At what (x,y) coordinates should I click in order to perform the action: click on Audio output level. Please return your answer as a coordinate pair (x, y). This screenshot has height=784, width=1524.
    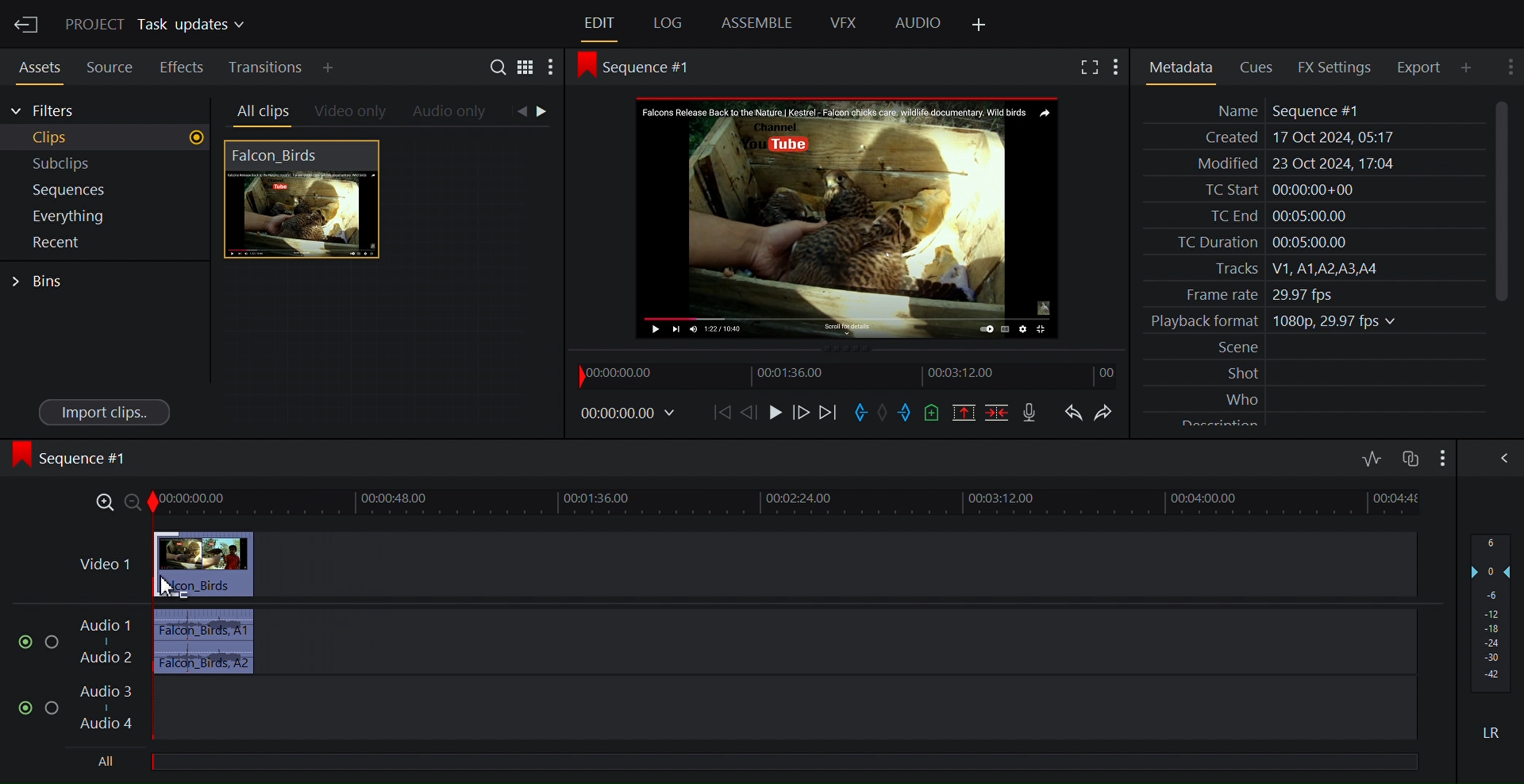
    Looking at the image, I should click on (1490, 612).